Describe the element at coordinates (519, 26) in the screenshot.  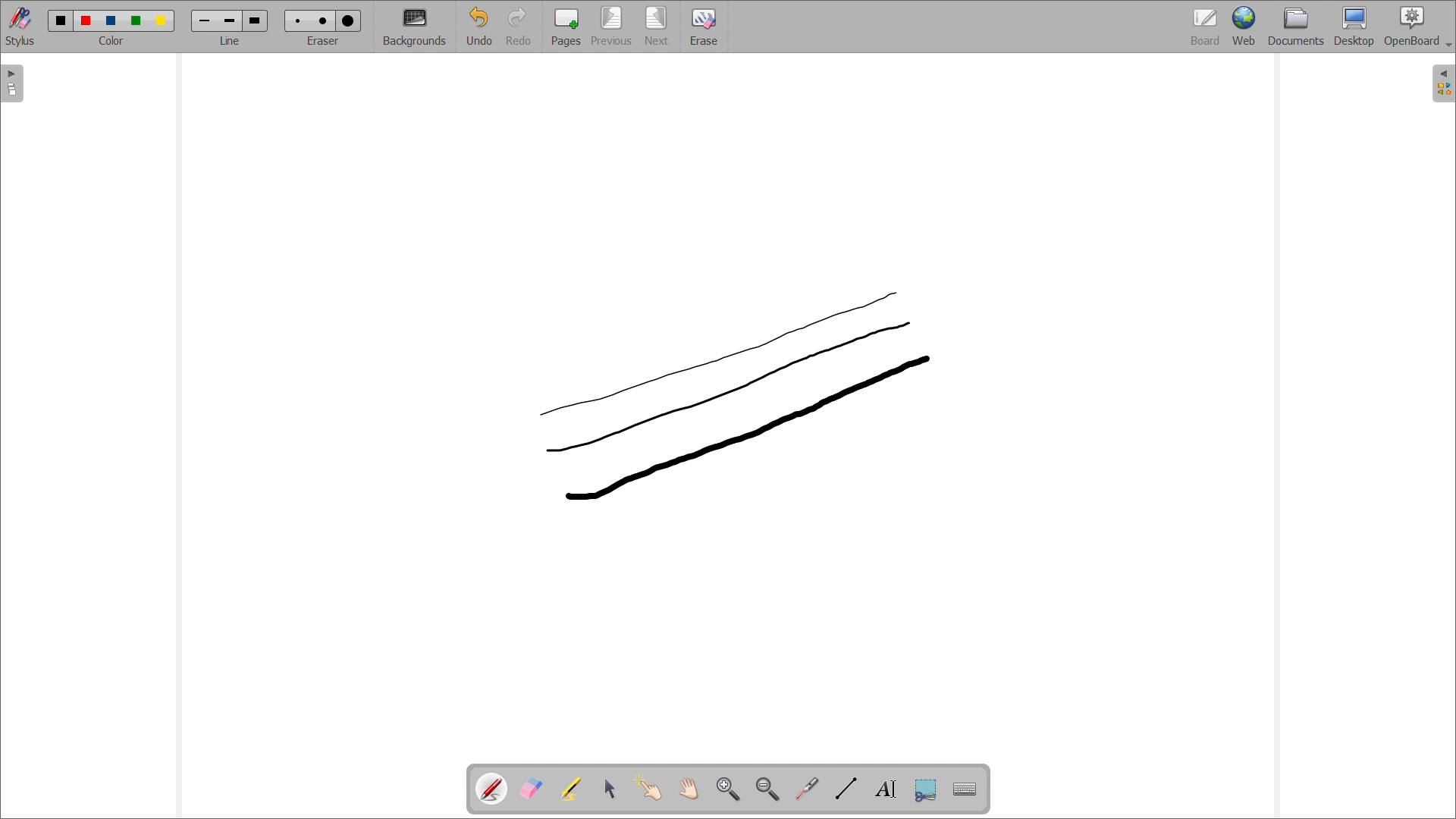
I see `redo` at that location.